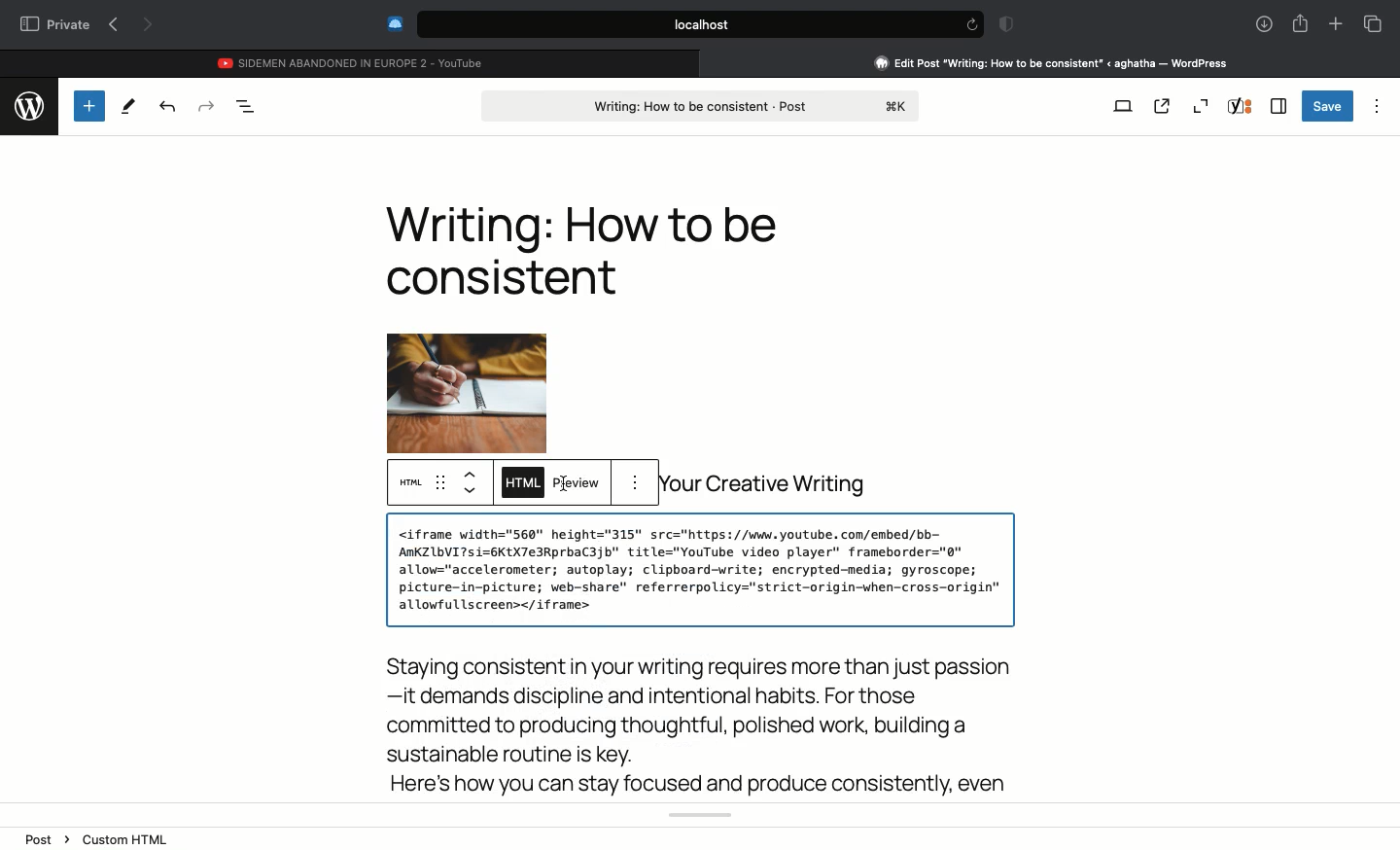  Describe the element at coordinates (466, 386) in the screenshot. I see `Image` at that location.